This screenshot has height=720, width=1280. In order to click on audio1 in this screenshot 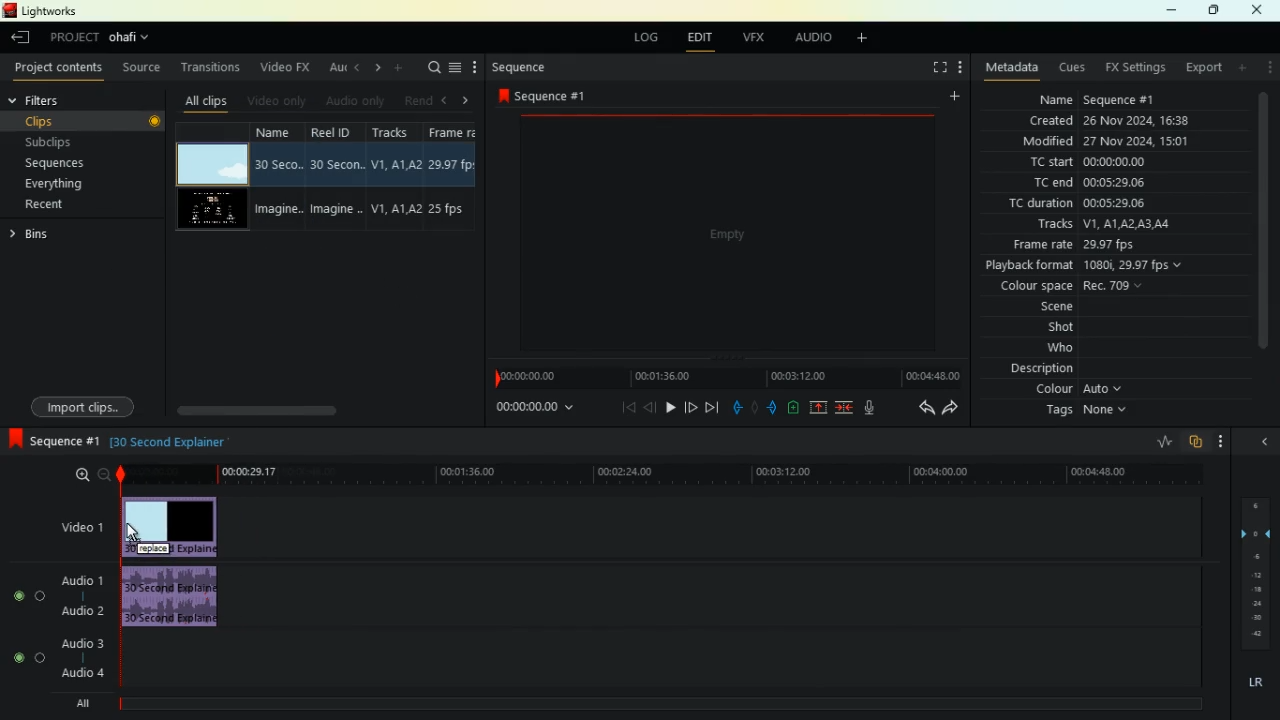, I will do `click(83, 581)`.